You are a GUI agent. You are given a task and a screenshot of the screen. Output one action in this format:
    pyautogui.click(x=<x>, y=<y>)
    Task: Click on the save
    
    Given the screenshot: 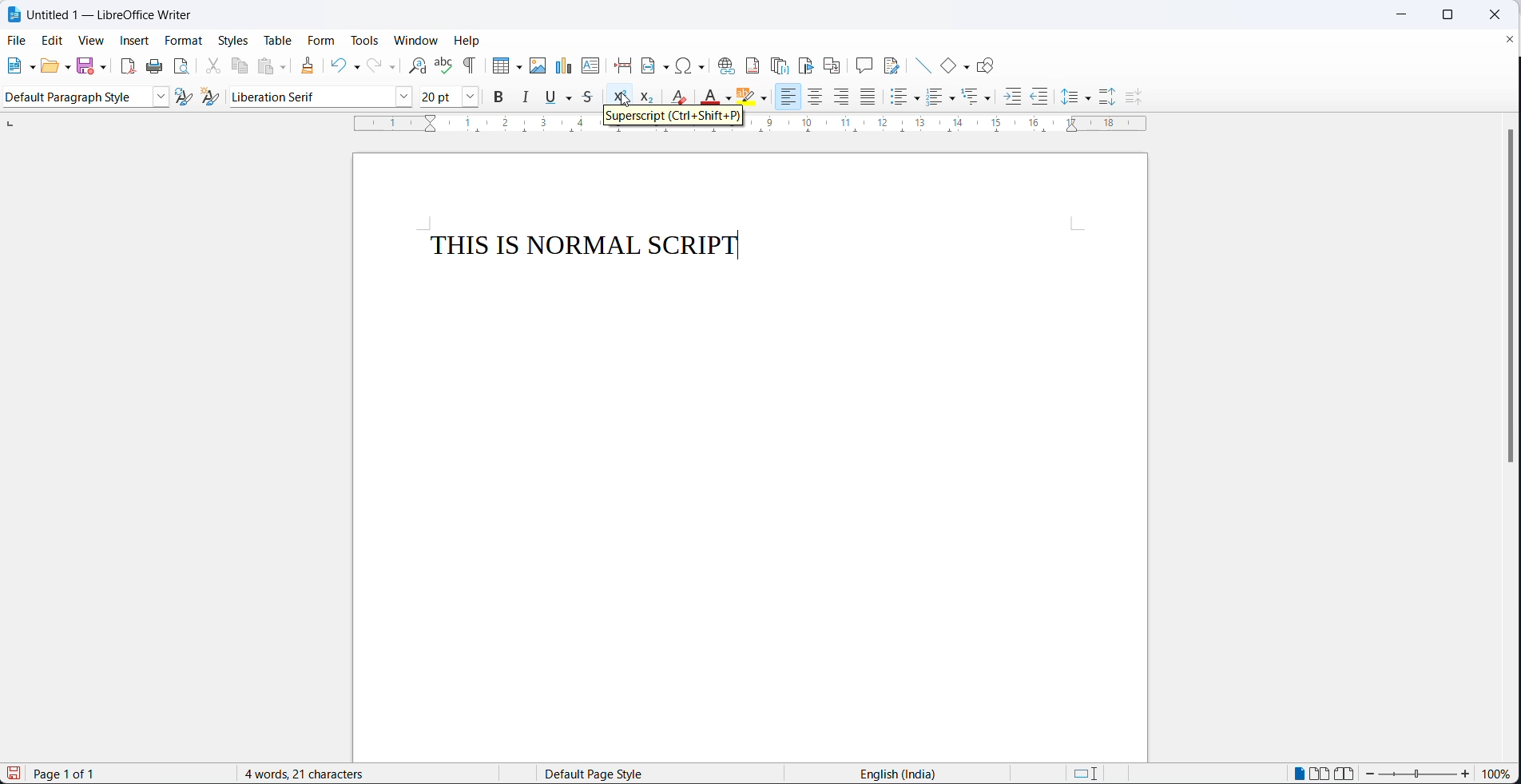 What is the action you would take?
    pyautogui.click(x=86, y=65)
    